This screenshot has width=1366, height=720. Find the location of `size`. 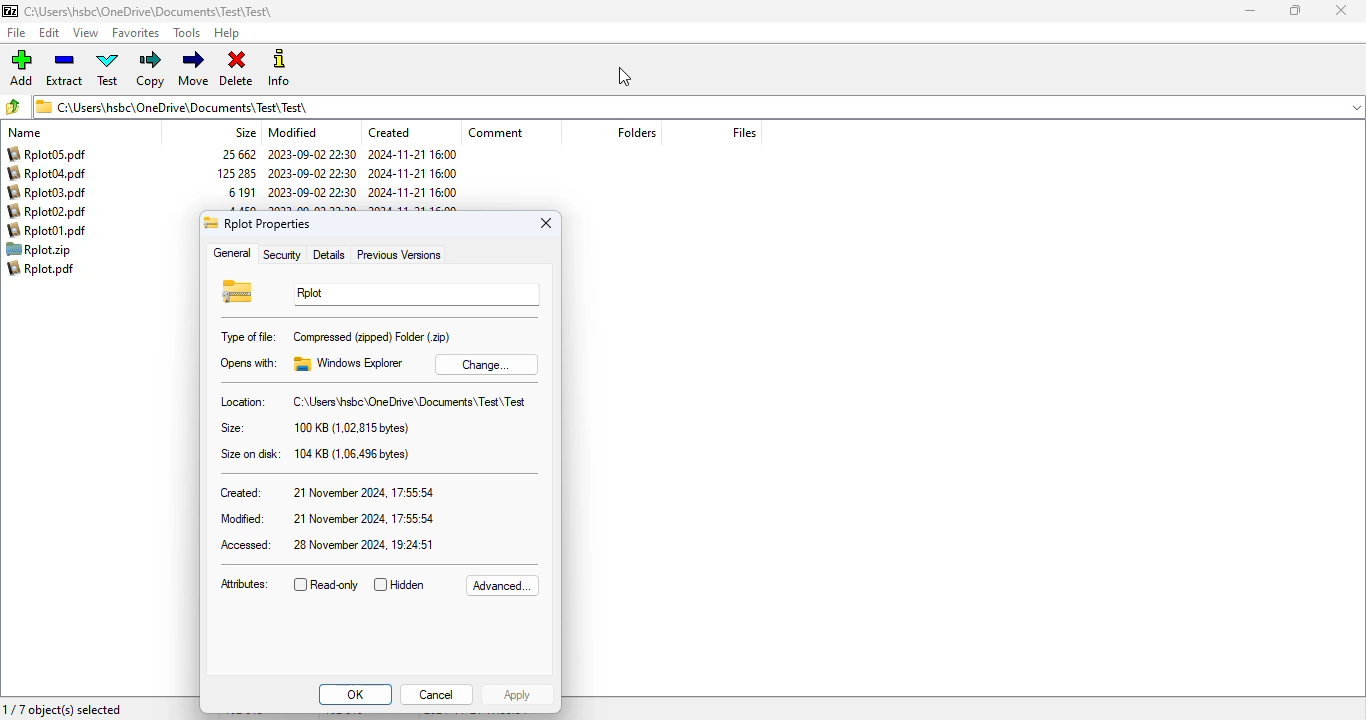

size is located at coordinates (246, 133).